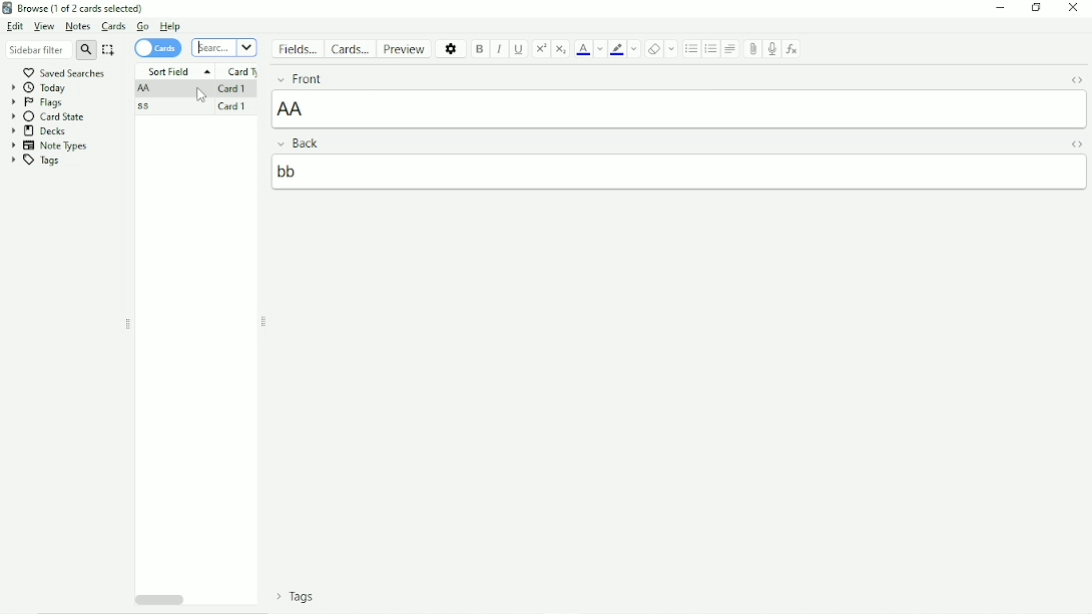  I want to click on Preview, so click(404, 48).